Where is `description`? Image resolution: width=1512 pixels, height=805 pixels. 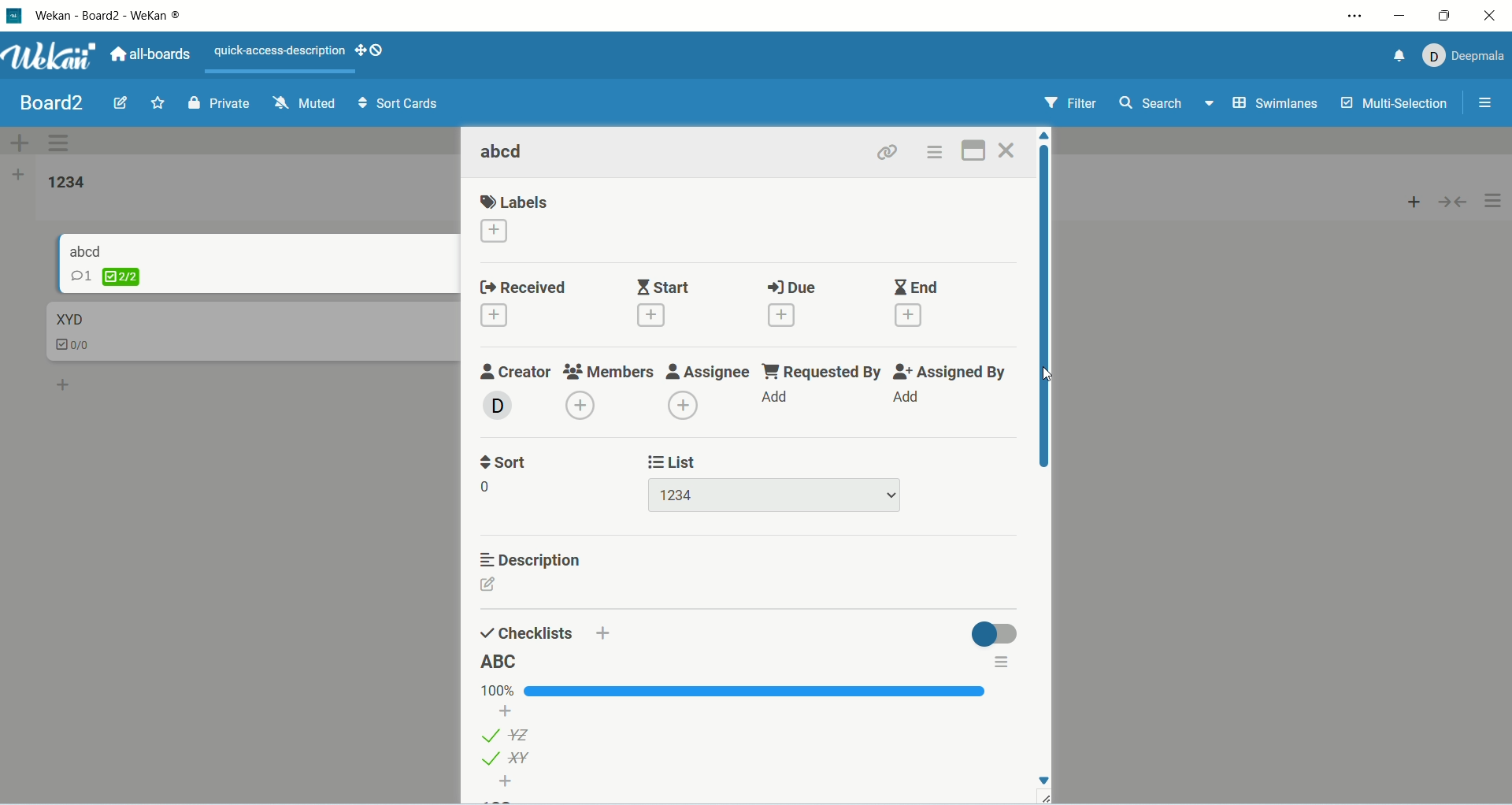
description is located at coordinates (536, 556).